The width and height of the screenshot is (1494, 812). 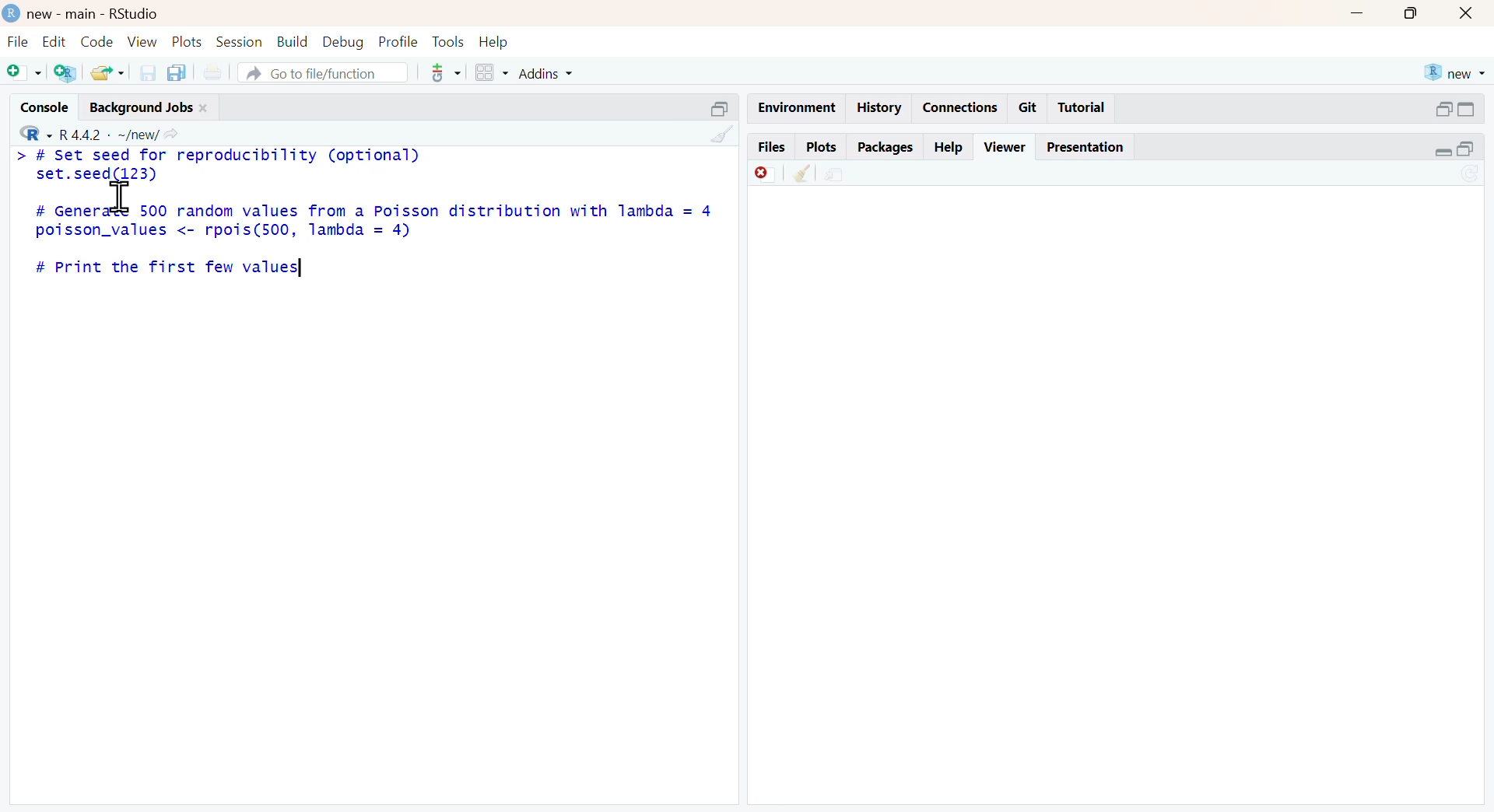 What do you see at coordinates (142, 110) in the screenshot?
I see `Background jobs` at bounding box center [142, 110].